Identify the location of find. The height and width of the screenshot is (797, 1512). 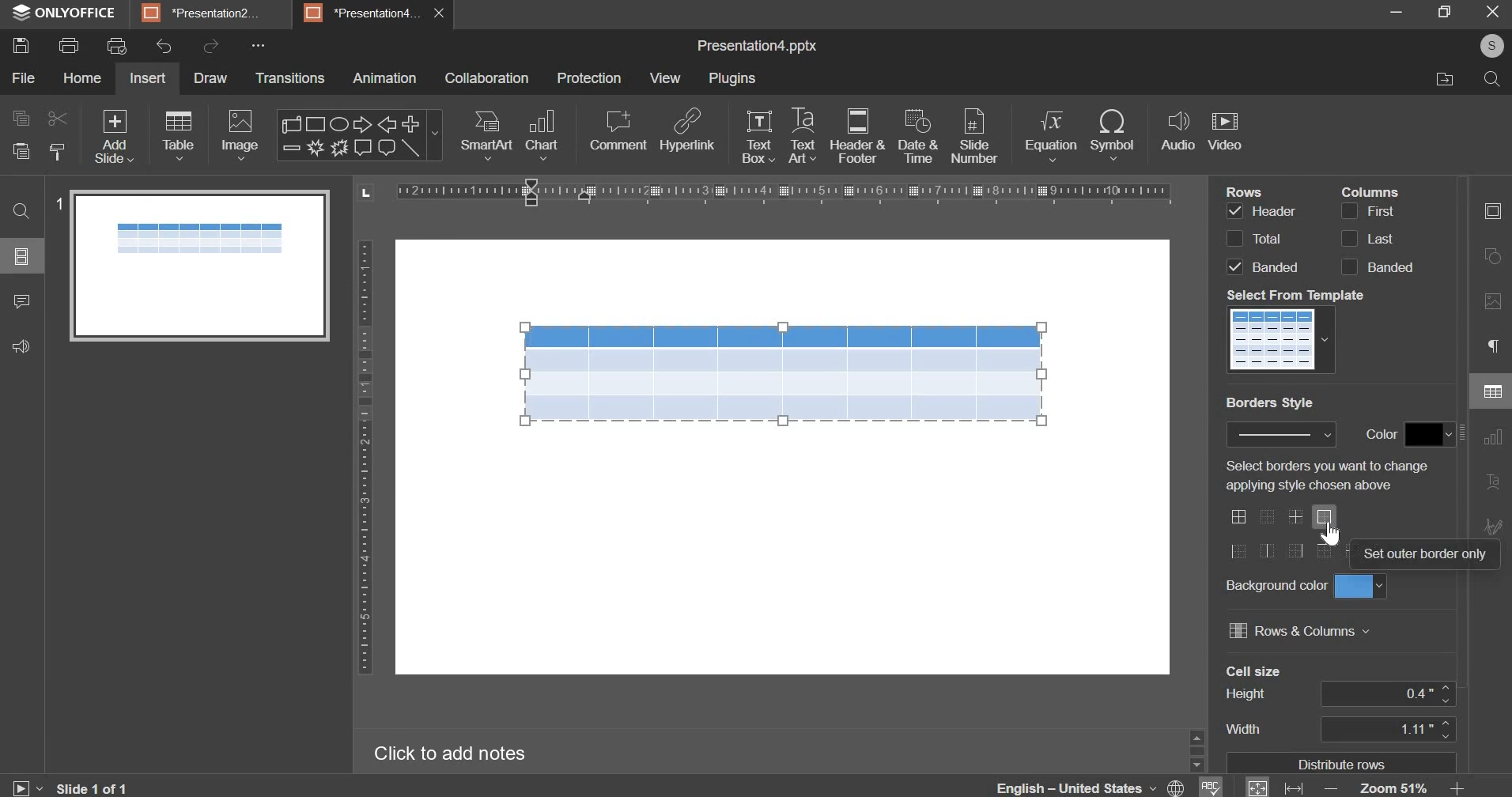
(23, 211).